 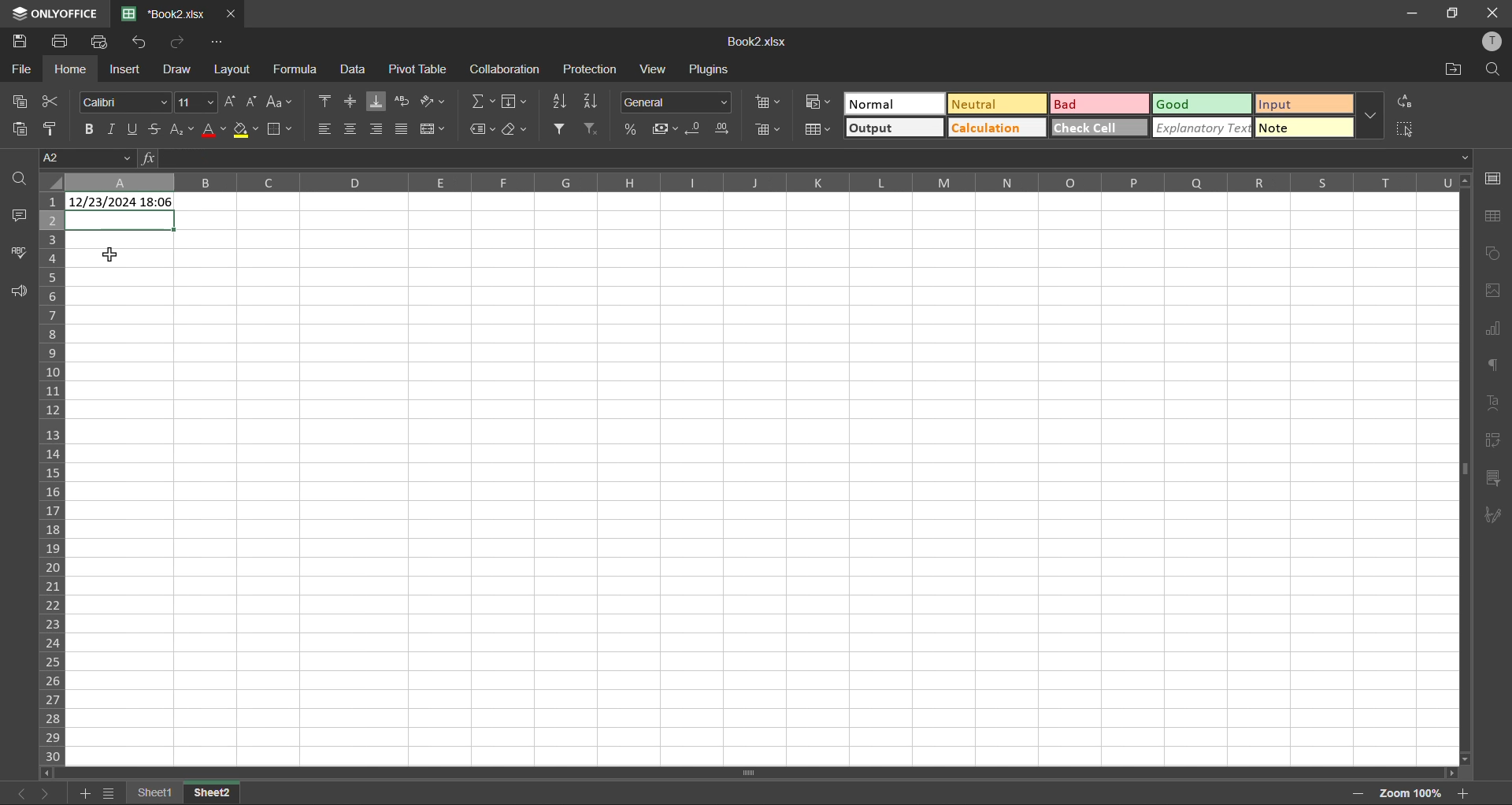 I want to click on paragraph, so click(x=1492, y=364).